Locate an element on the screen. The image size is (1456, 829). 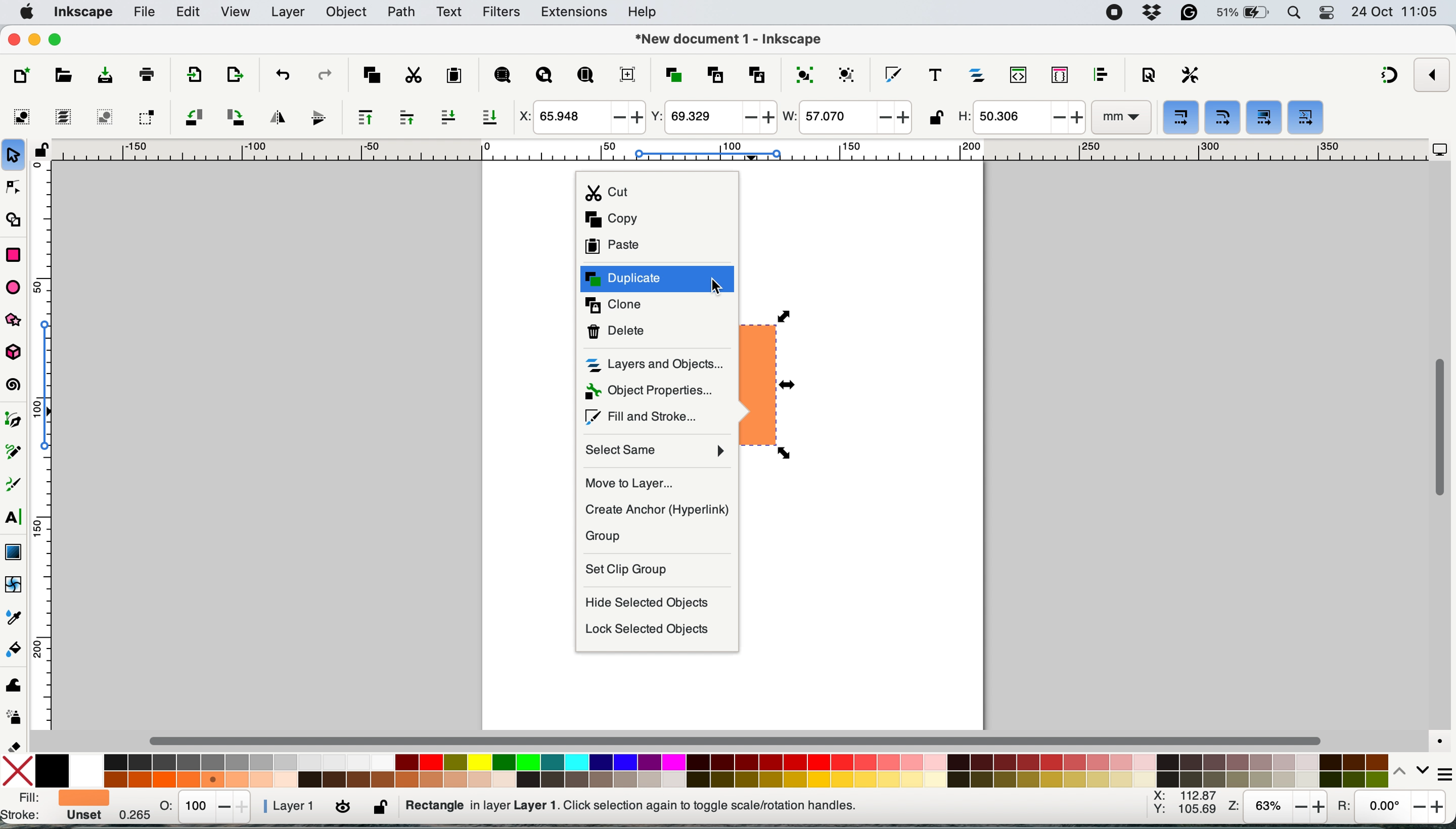
new is located at coordinates (24, 76).